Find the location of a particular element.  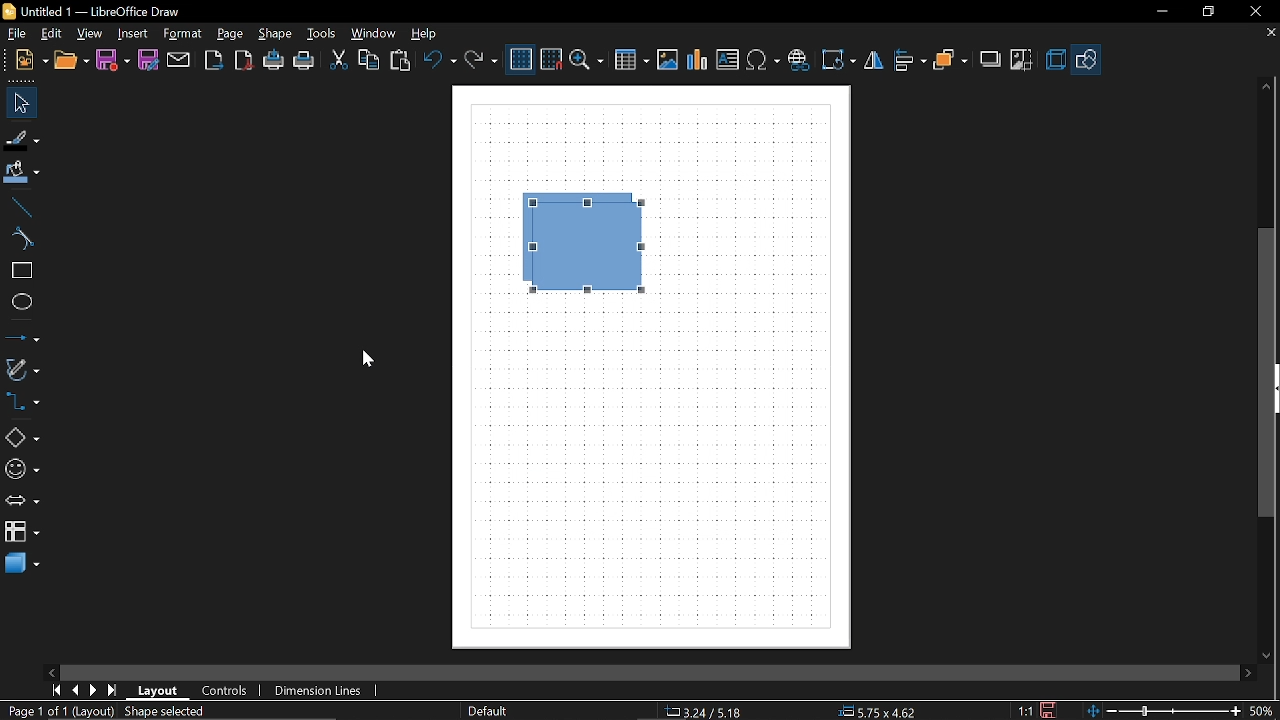

Duplicate copy added is located at coordinates (595, 244).